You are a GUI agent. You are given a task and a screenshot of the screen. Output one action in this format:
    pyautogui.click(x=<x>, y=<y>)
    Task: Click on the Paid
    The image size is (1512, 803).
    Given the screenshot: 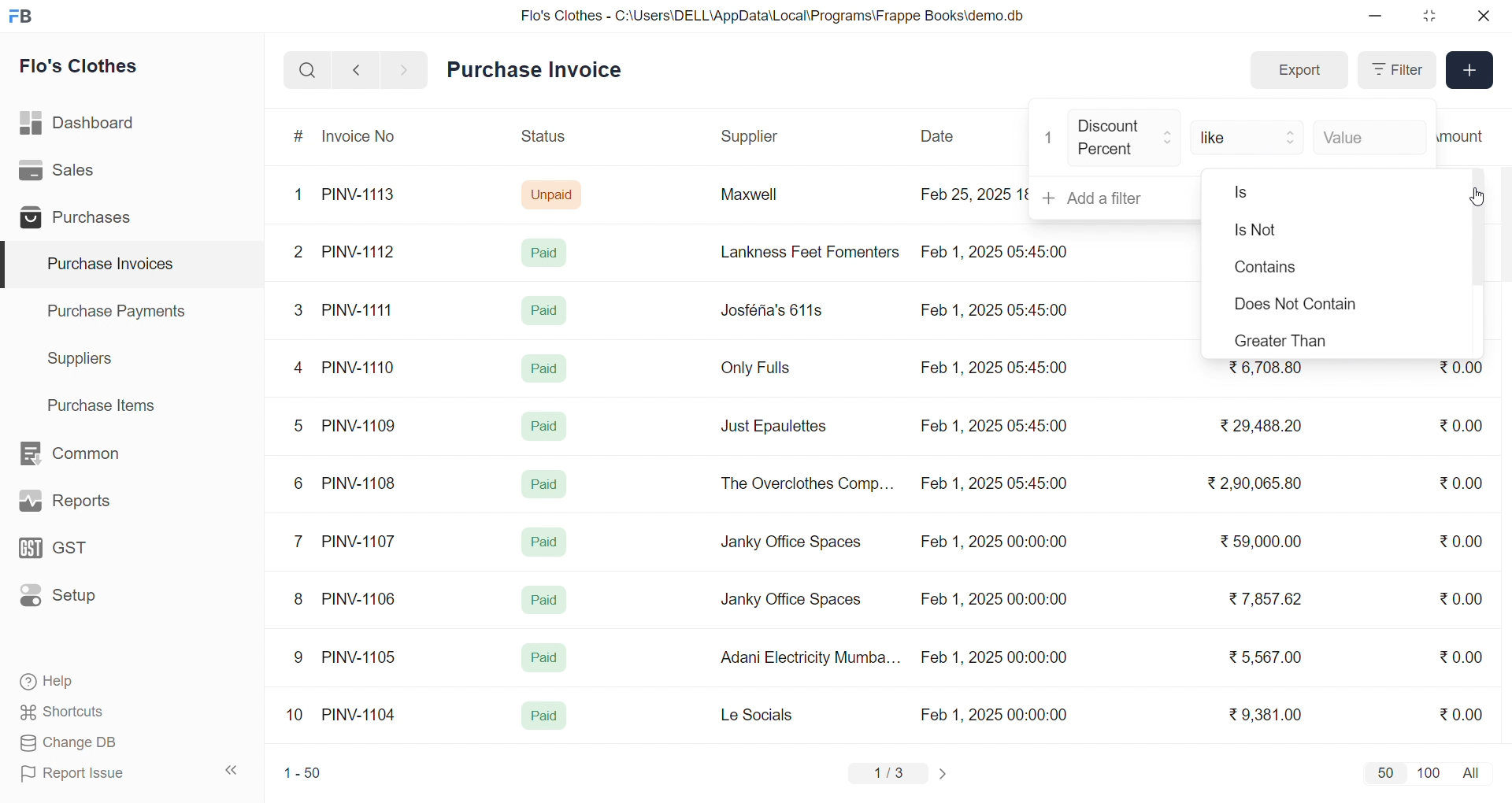 What is the action you would take?
    pyautogui.click(x=543, y=367)
    